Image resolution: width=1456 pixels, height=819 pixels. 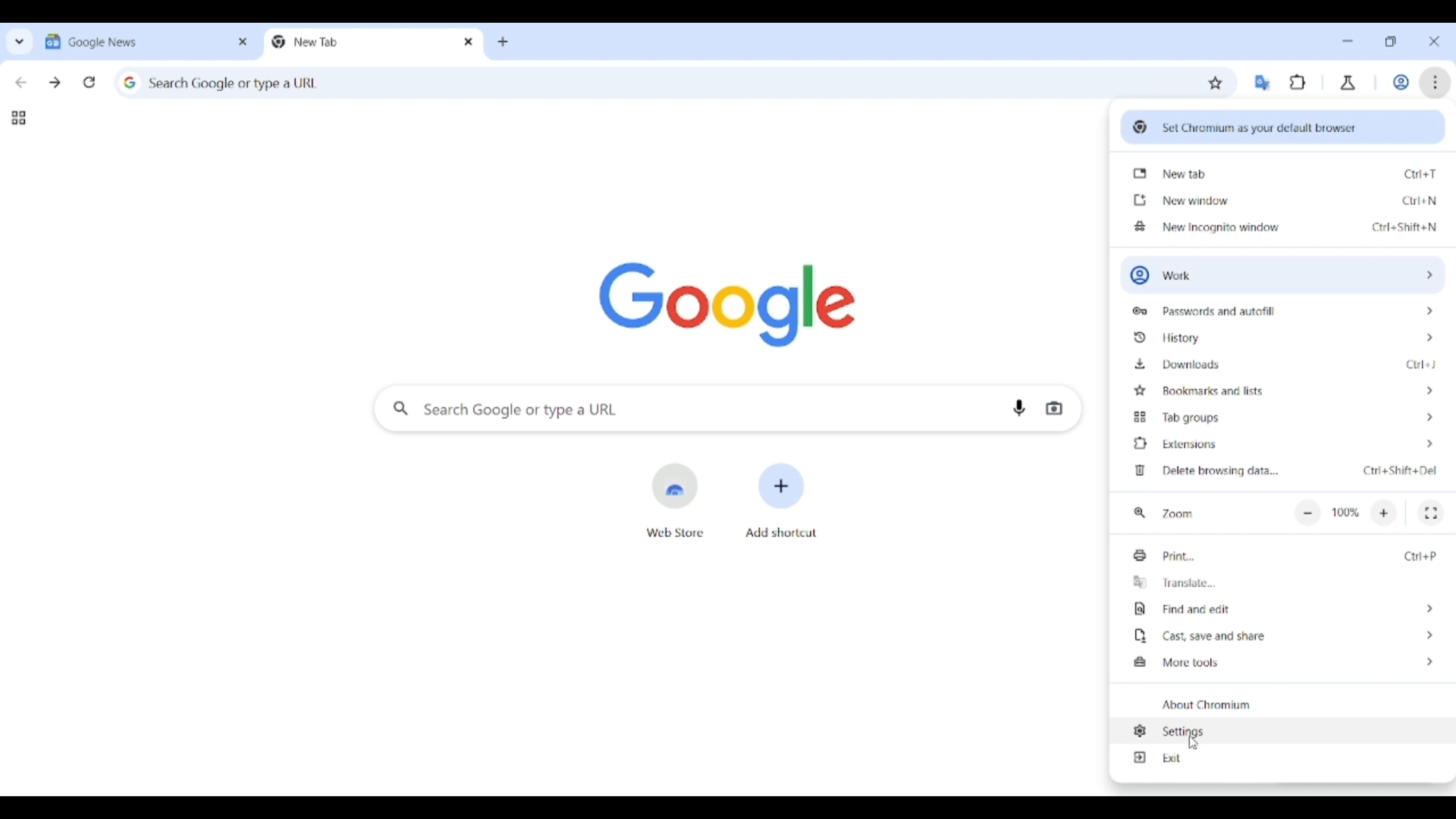 I want to click on Search by image, so click(x=1054, y=409).